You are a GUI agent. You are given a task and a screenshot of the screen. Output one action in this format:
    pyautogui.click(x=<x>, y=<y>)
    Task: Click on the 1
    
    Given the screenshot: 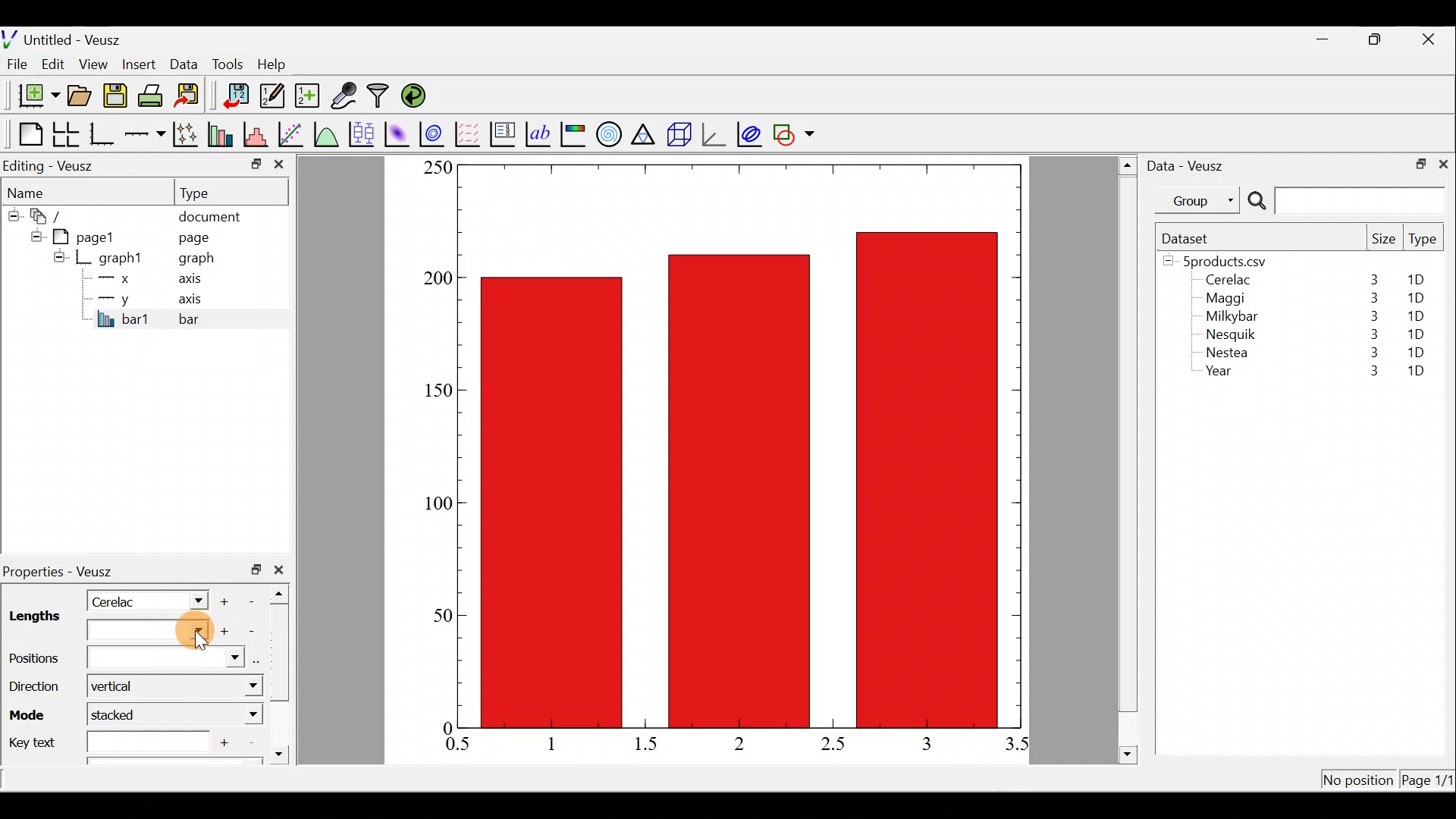 What is the action you would take?
    pyautogui.click(x=563, y=743)
    